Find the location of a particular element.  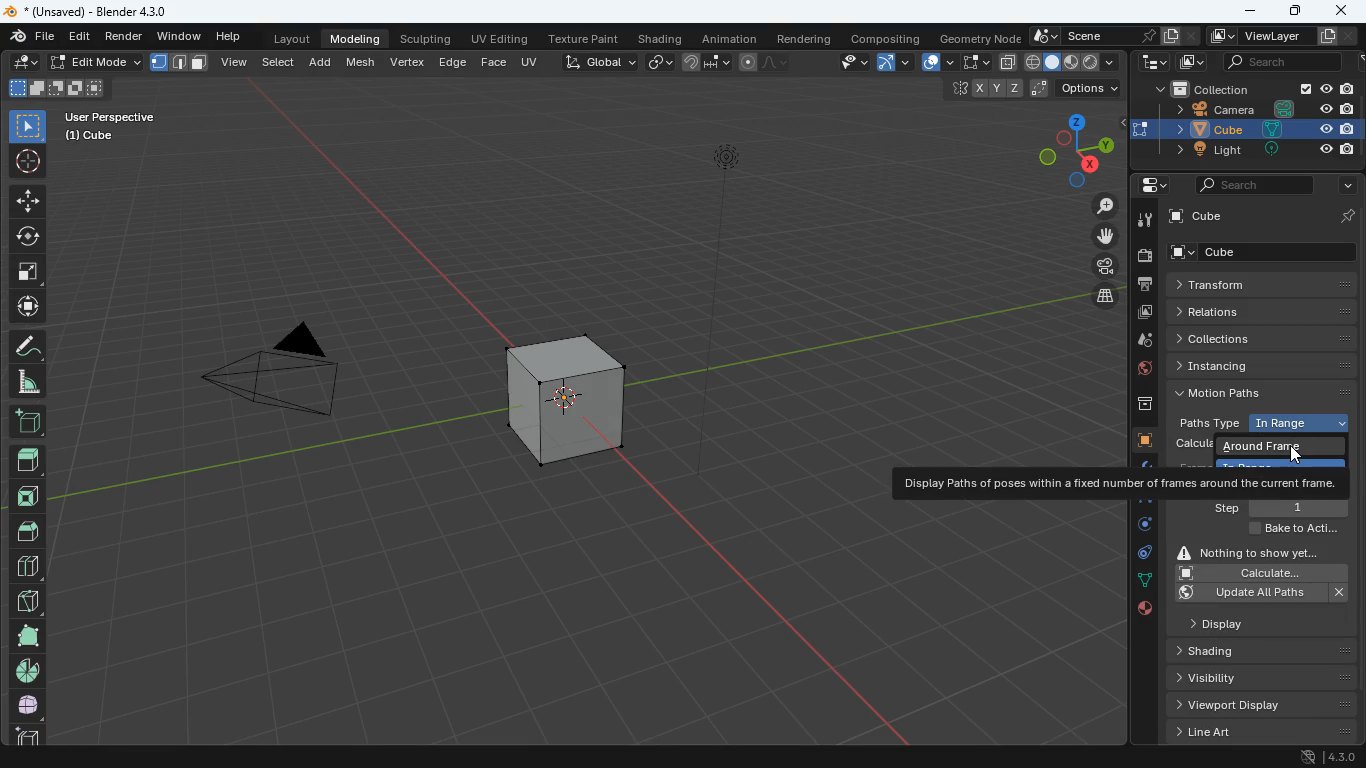

search is located at coordinates (1254, 184).